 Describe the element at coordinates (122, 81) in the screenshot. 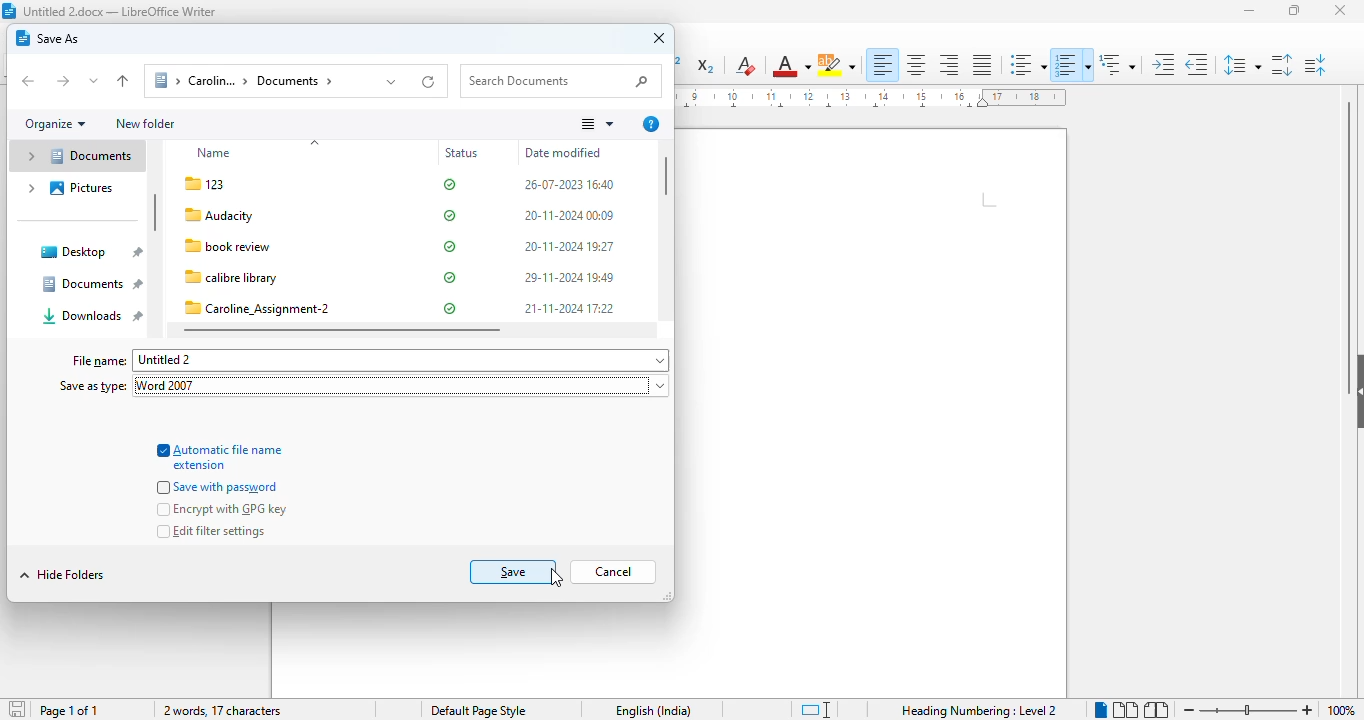

I see `up to "personal"` at that location.